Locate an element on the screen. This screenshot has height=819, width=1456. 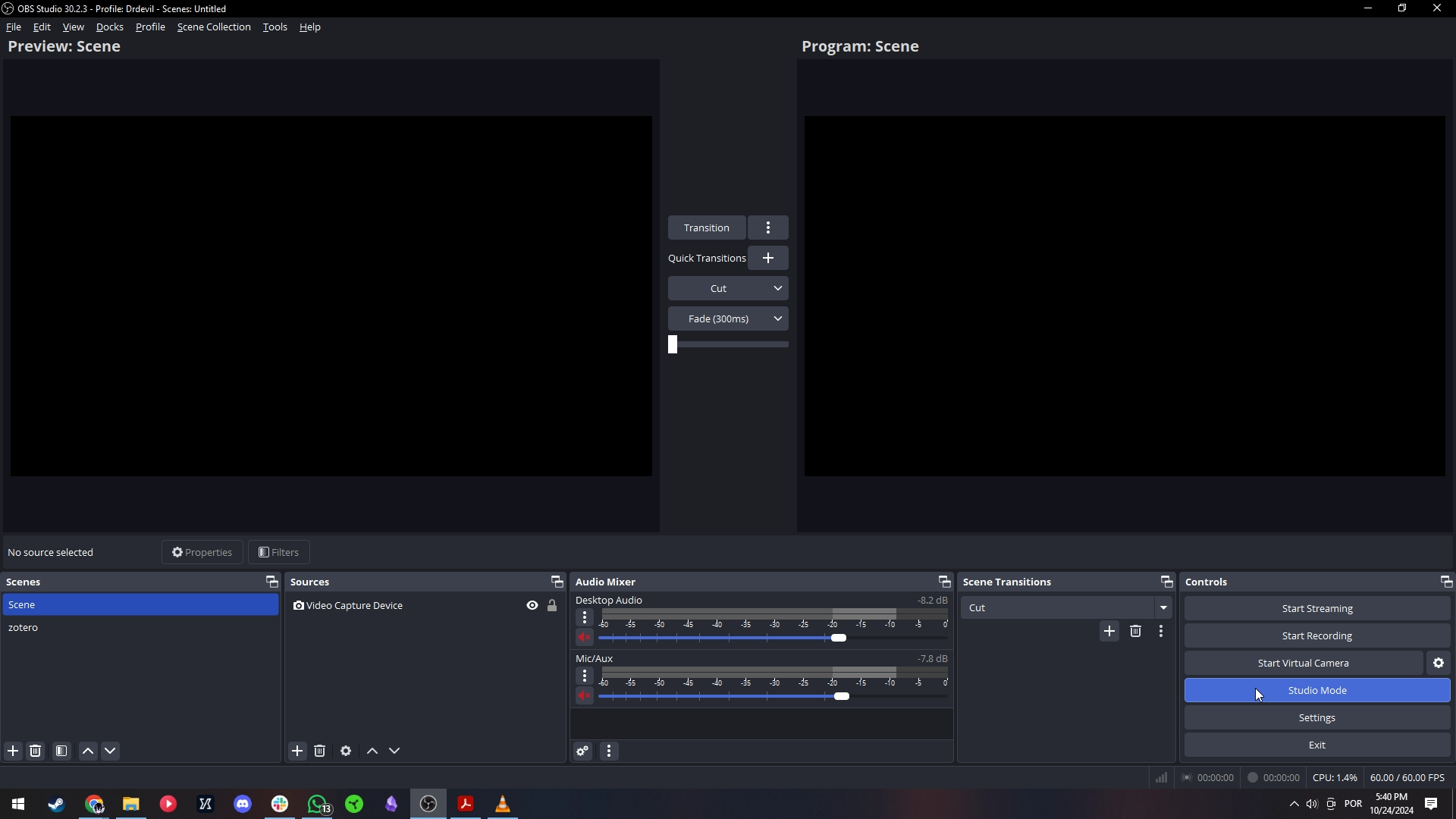
Transition is located at coordinates (706, 227).